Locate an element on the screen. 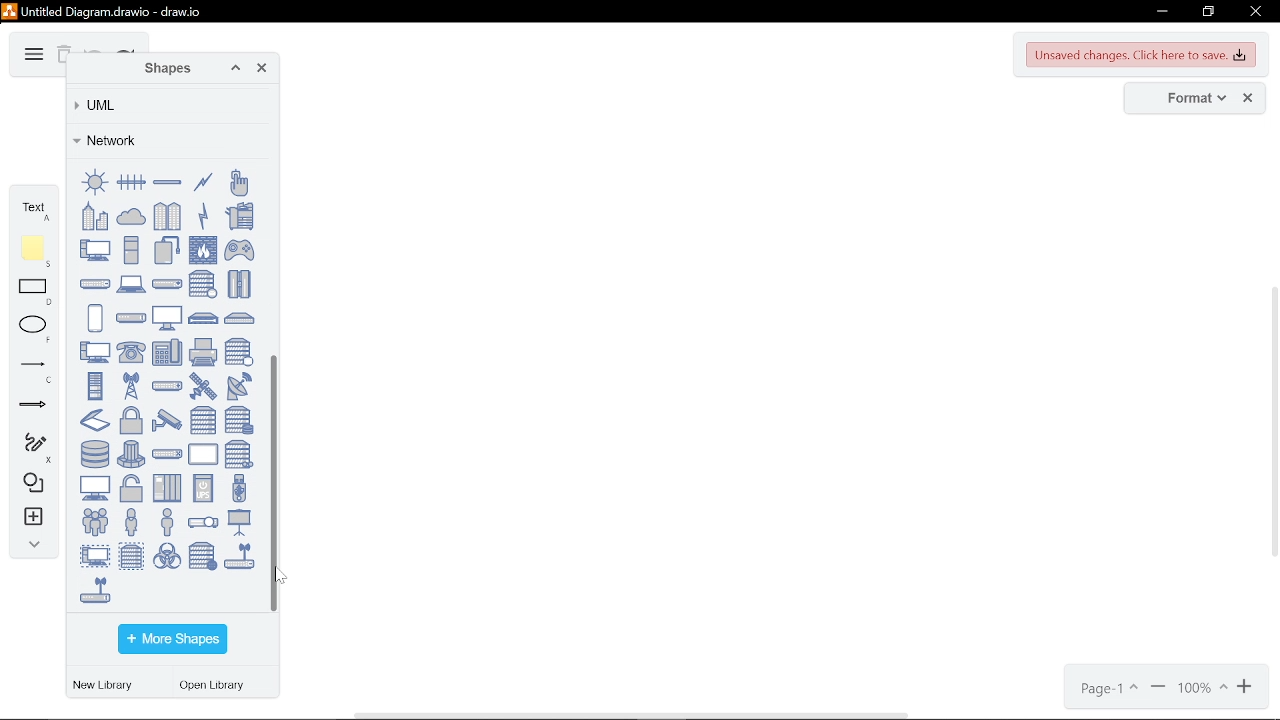 This screenshot has height=720, width=1280. unsaved changes. Click here to save is located at coordinates (1142, 55).